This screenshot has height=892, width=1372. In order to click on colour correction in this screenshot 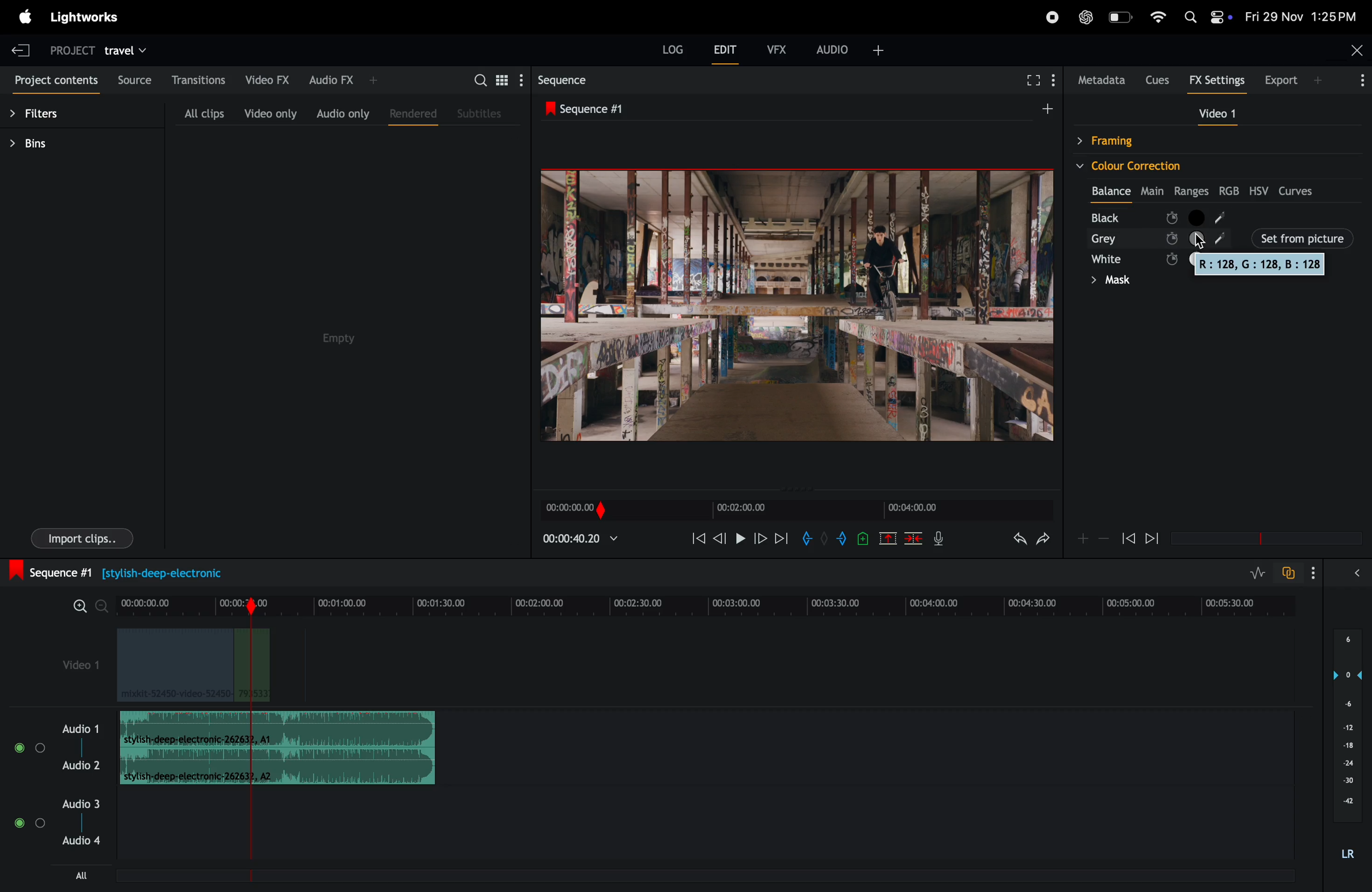, I will do `click(1206, 165)`.